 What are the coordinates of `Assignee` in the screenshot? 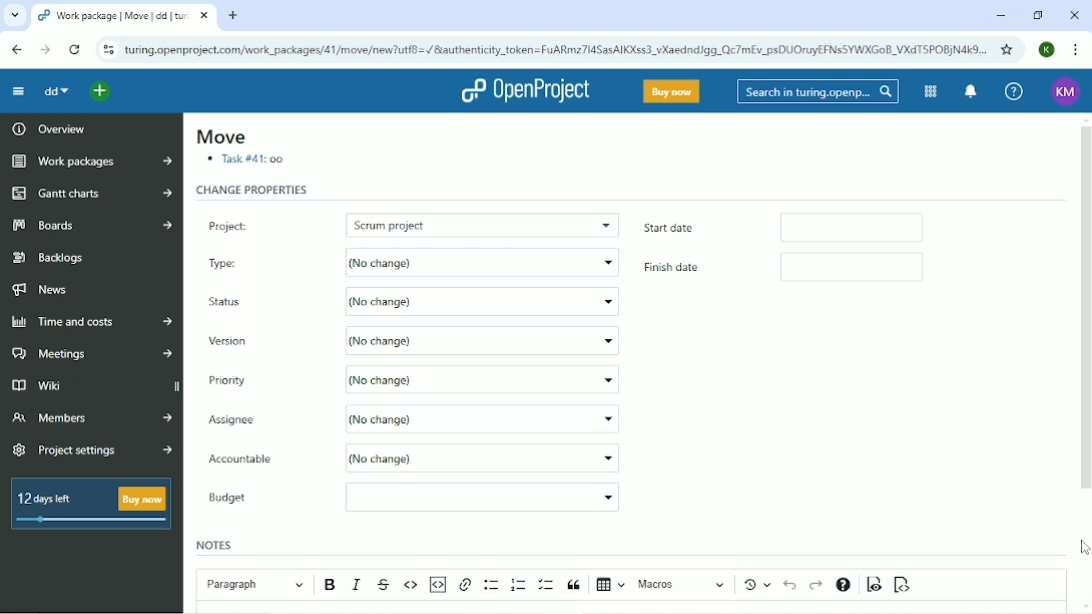 It's located at (265, 419).